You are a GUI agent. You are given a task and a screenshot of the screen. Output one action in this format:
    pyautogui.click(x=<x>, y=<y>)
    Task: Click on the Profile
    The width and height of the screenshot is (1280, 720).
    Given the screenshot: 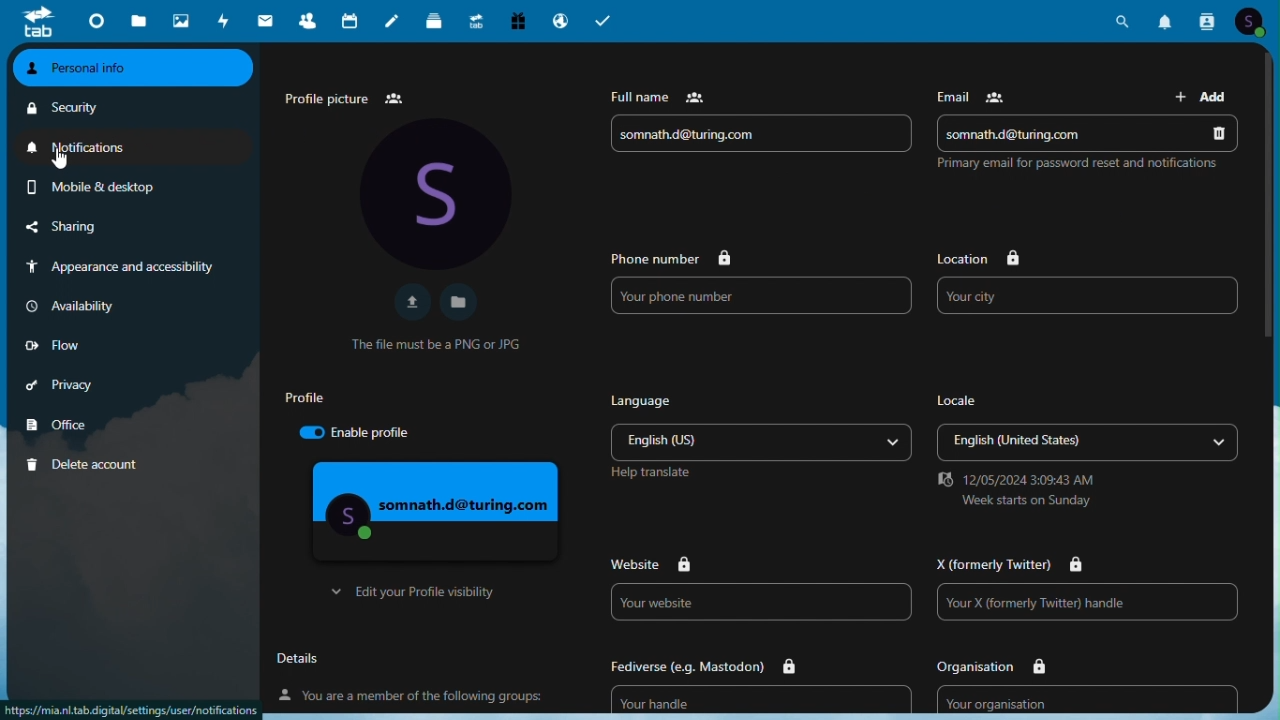 What is the action you would take?
    pyautogui.click(x=318, y=398)
    